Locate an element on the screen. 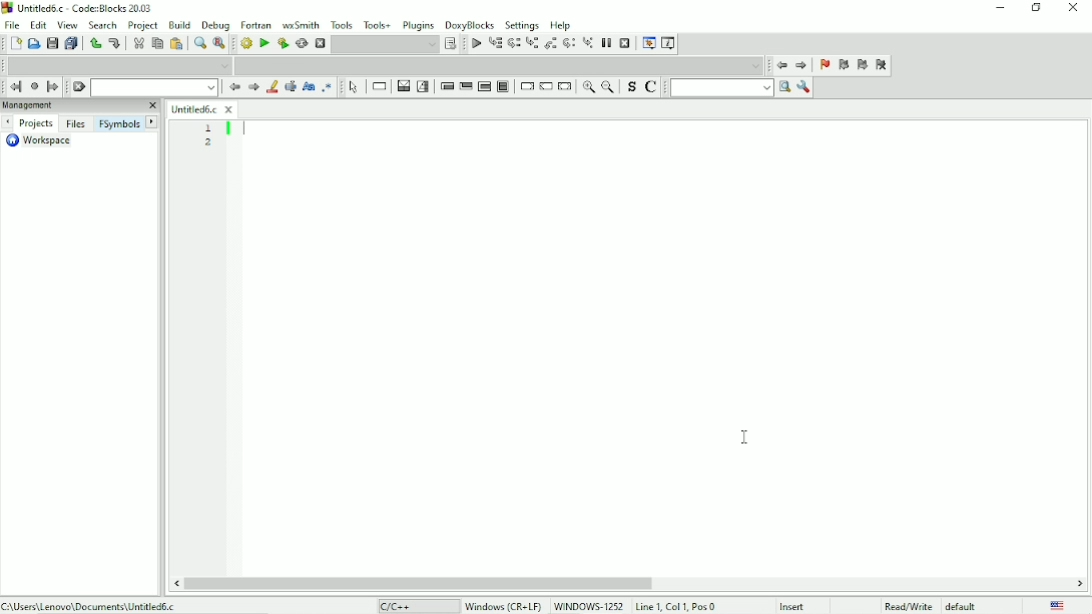 The image size is (1092, 614). Return-instruction is located at coordinates (566, 86).